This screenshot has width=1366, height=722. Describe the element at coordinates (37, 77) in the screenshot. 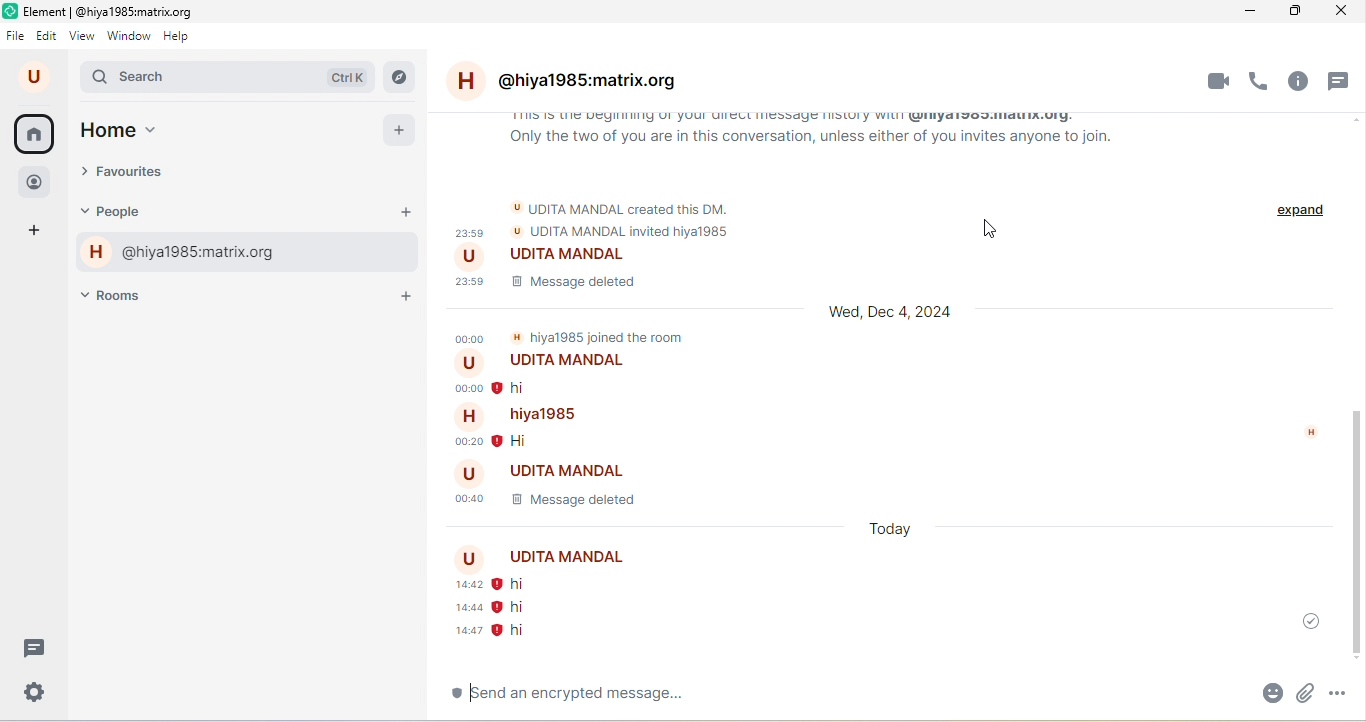

I see `u` at that location.